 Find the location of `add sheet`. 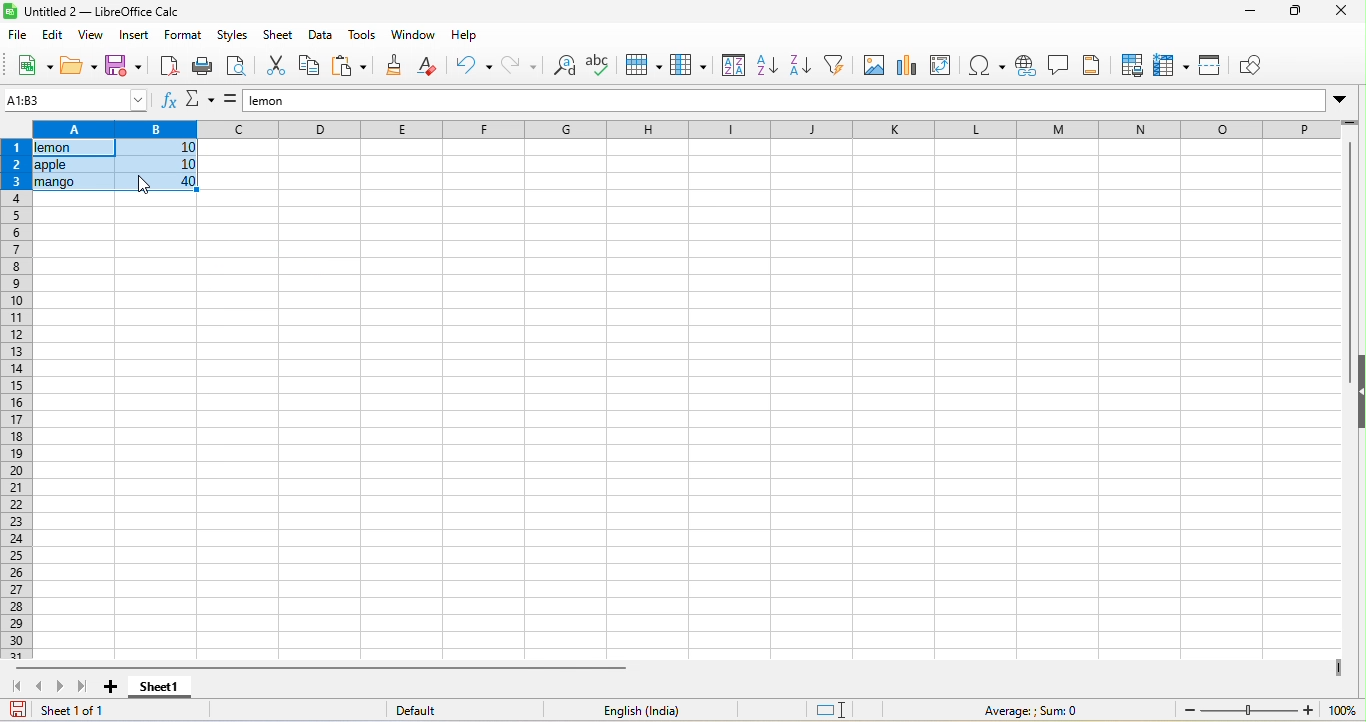

add sheet is located at coordinates (106, 689).